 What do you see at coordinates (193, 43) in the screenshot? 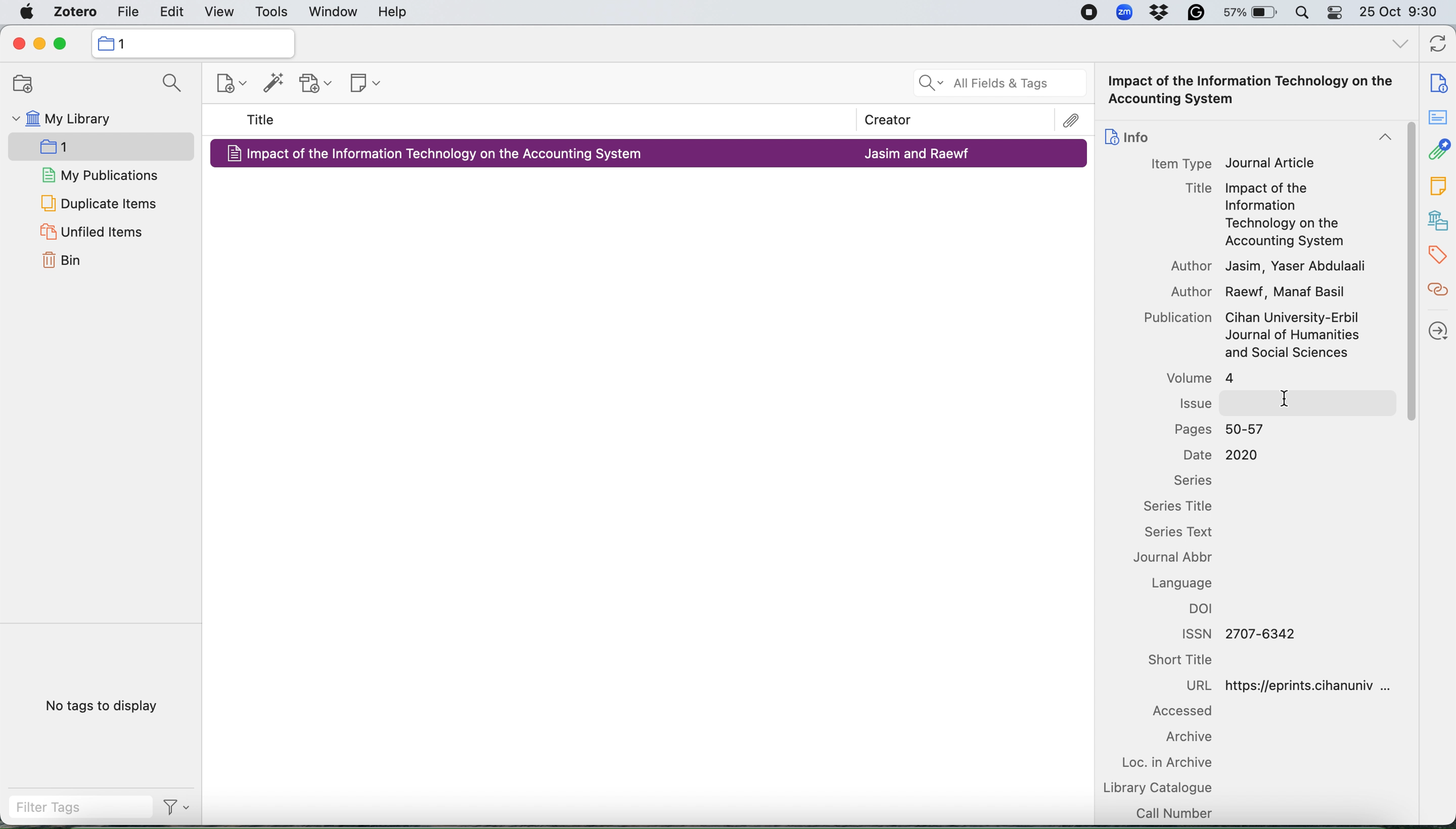
I see `collection` at bounding box center [193, 43].